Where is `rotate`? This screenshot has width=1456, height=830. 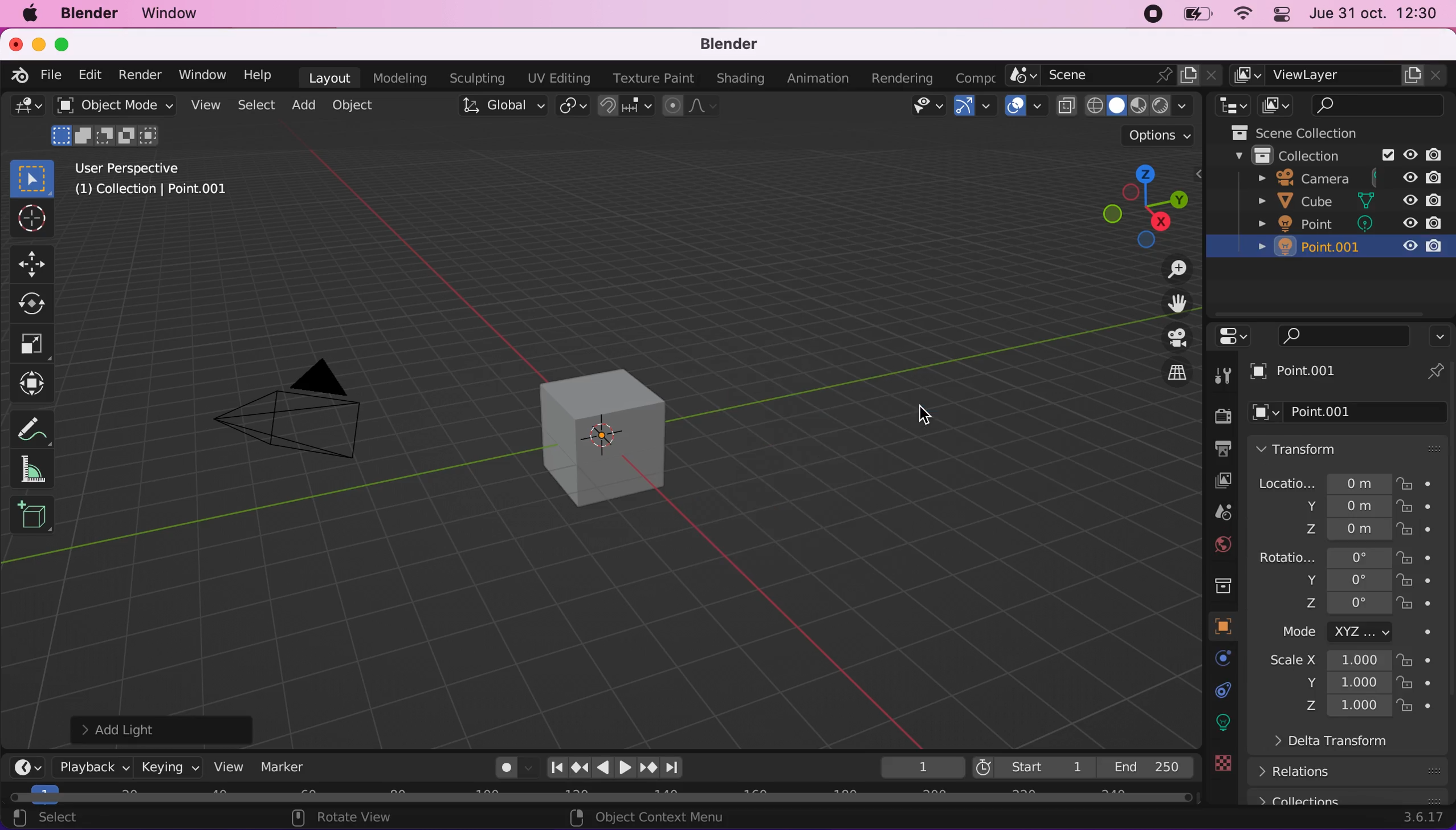
rotate is located at coordinates (34, 303).